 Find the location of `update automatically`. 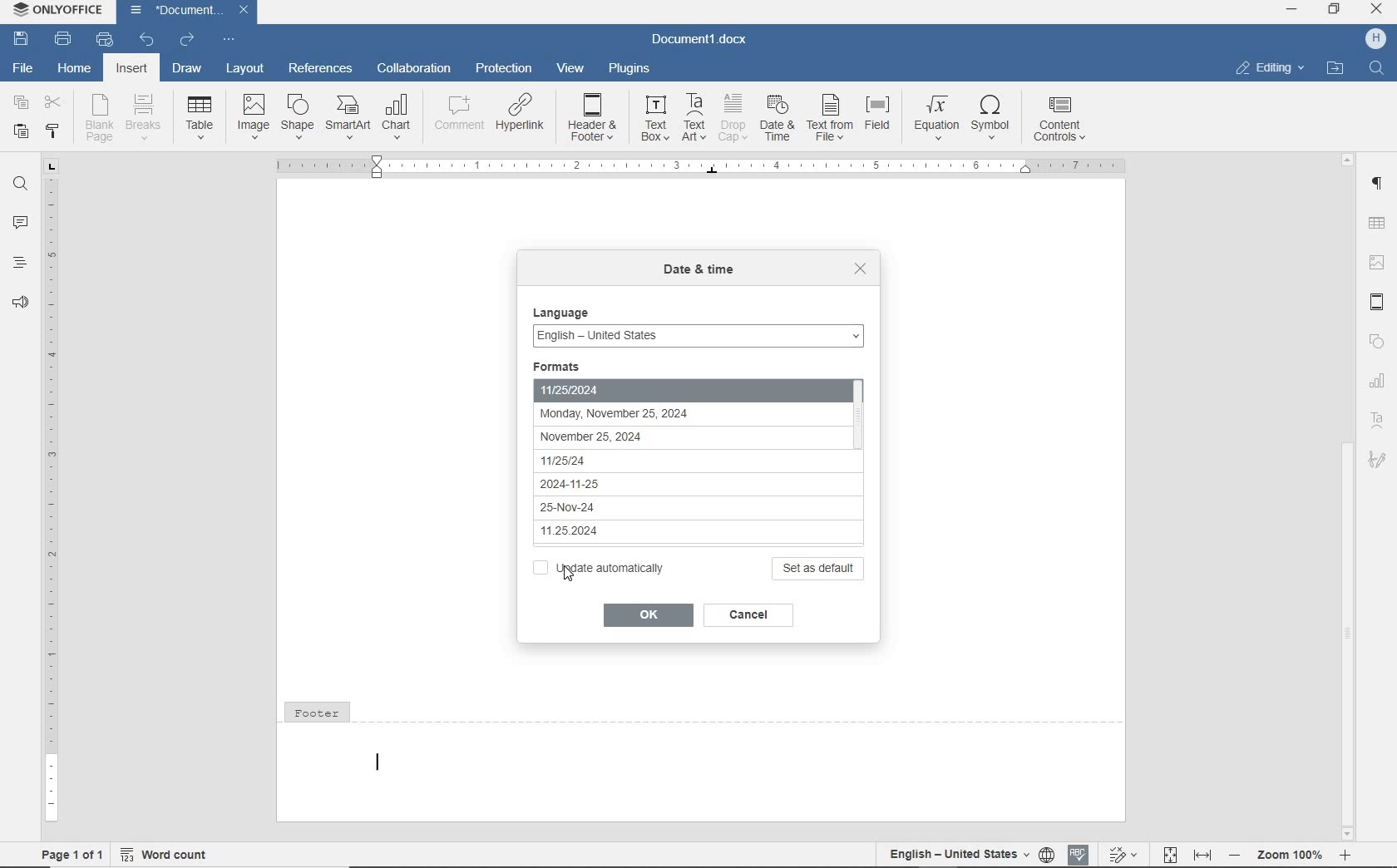

update automatically is located at coordinates (600, 568).